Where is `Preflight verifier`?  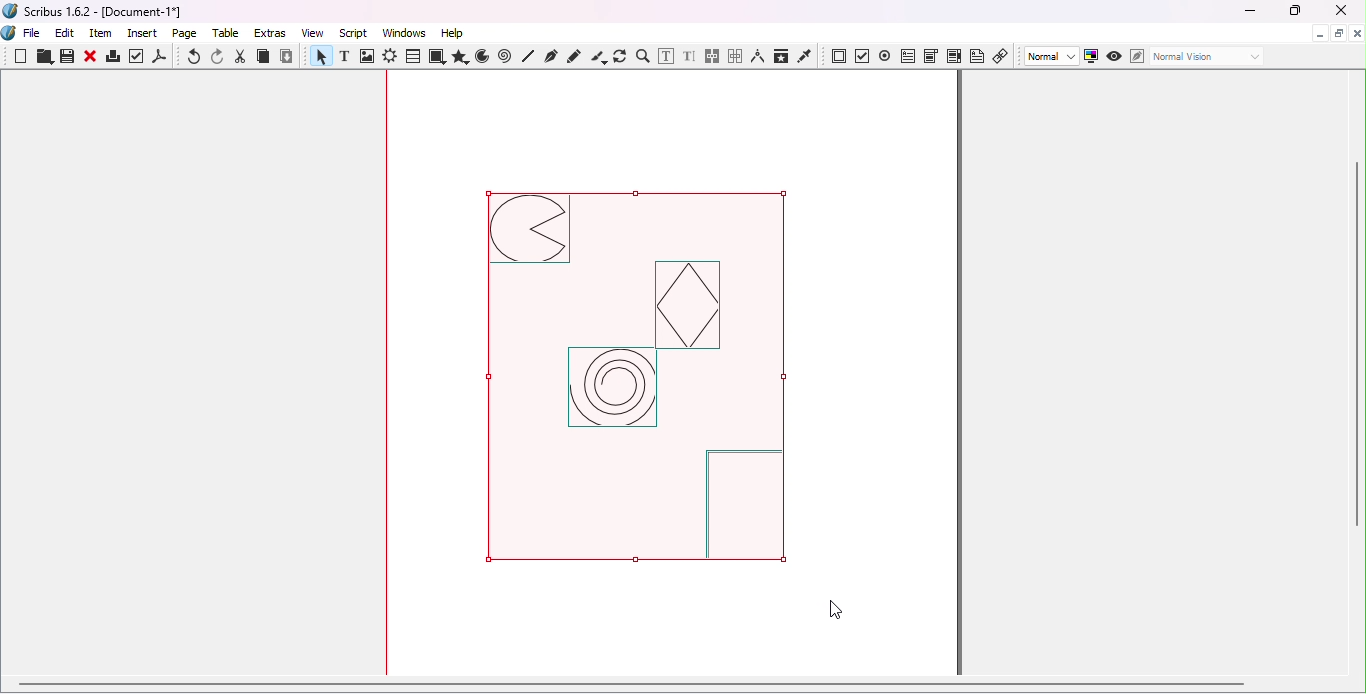
Preflight verifier is located at coordinates (137, 59).